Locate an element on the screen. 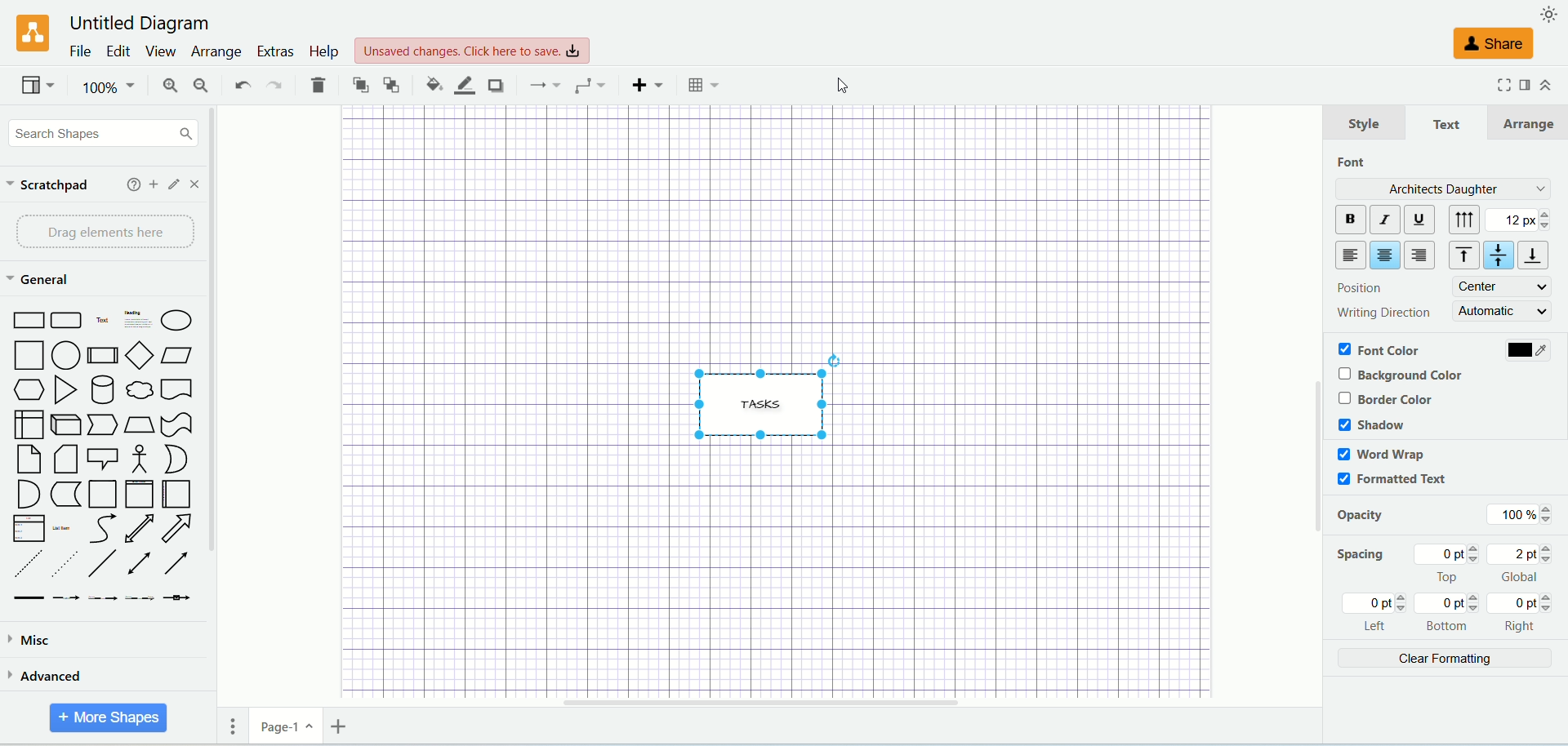 This screenshot has width=1568, height=746. search shapes is located at coordinates (100, 132).